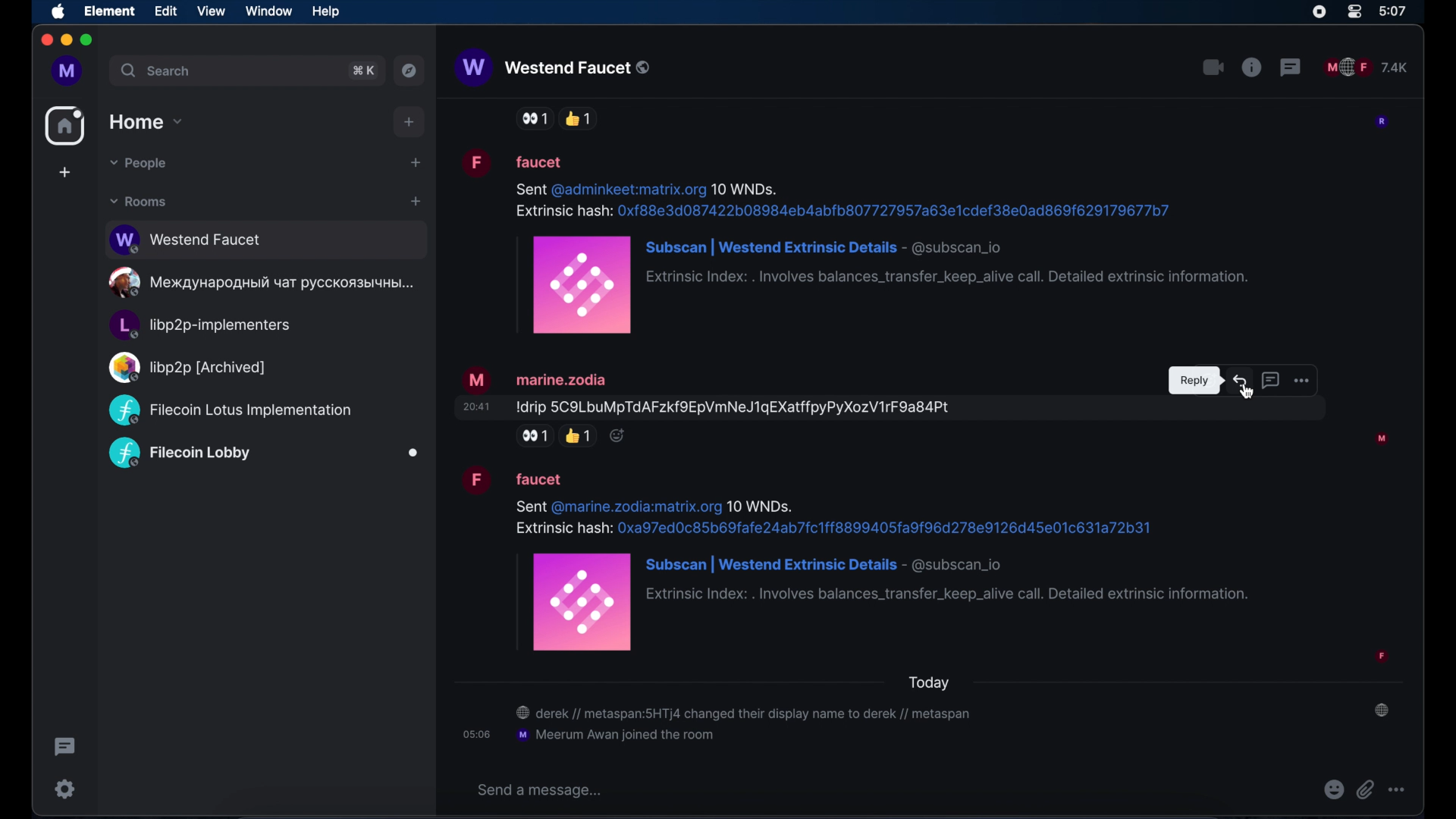 This screenshot has height=819, width=1456. I want to click on reply in thread, so click(1270, 379).